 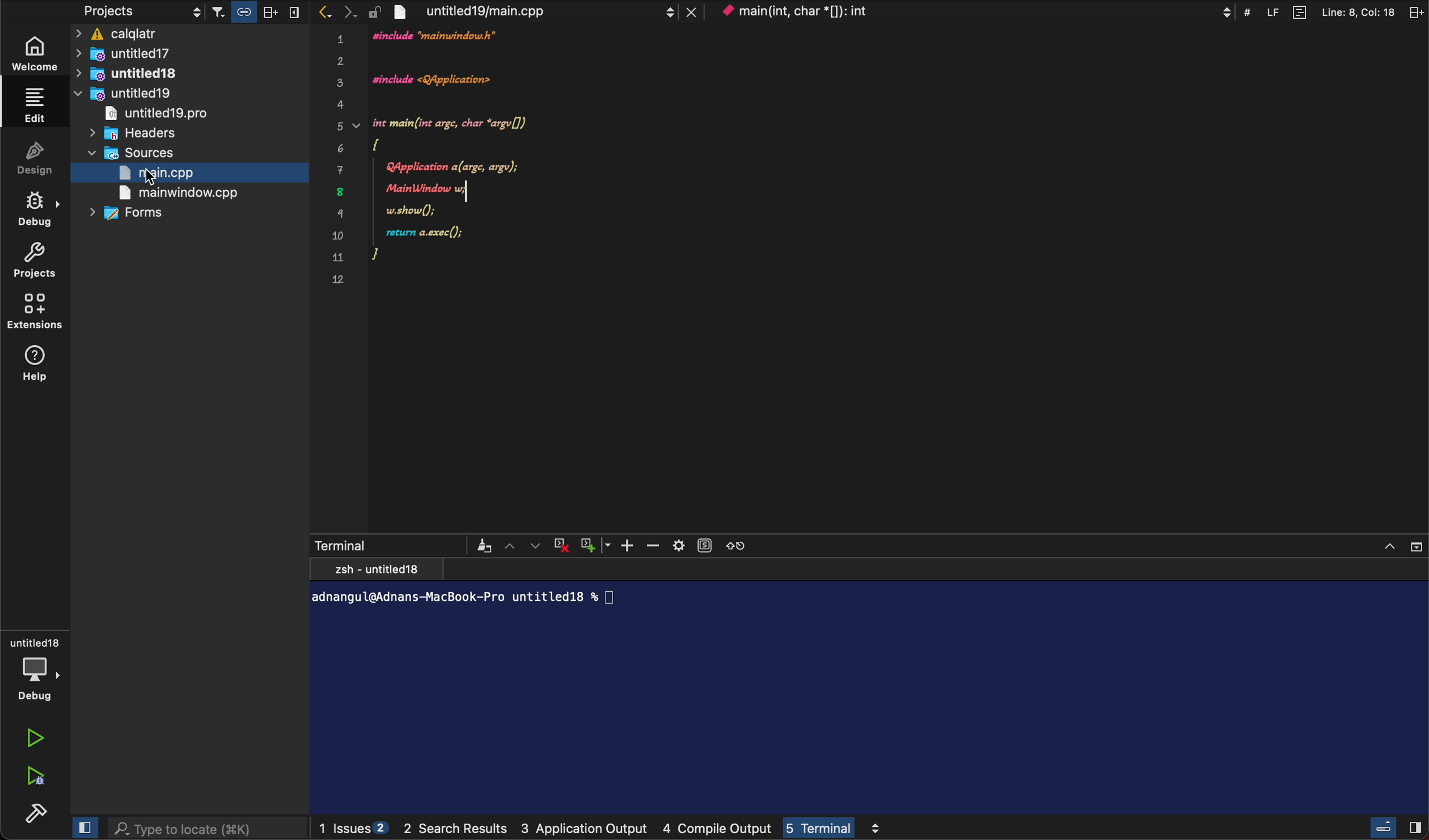 I want to click on cLose SlideBar, so click(x=82, y=827).